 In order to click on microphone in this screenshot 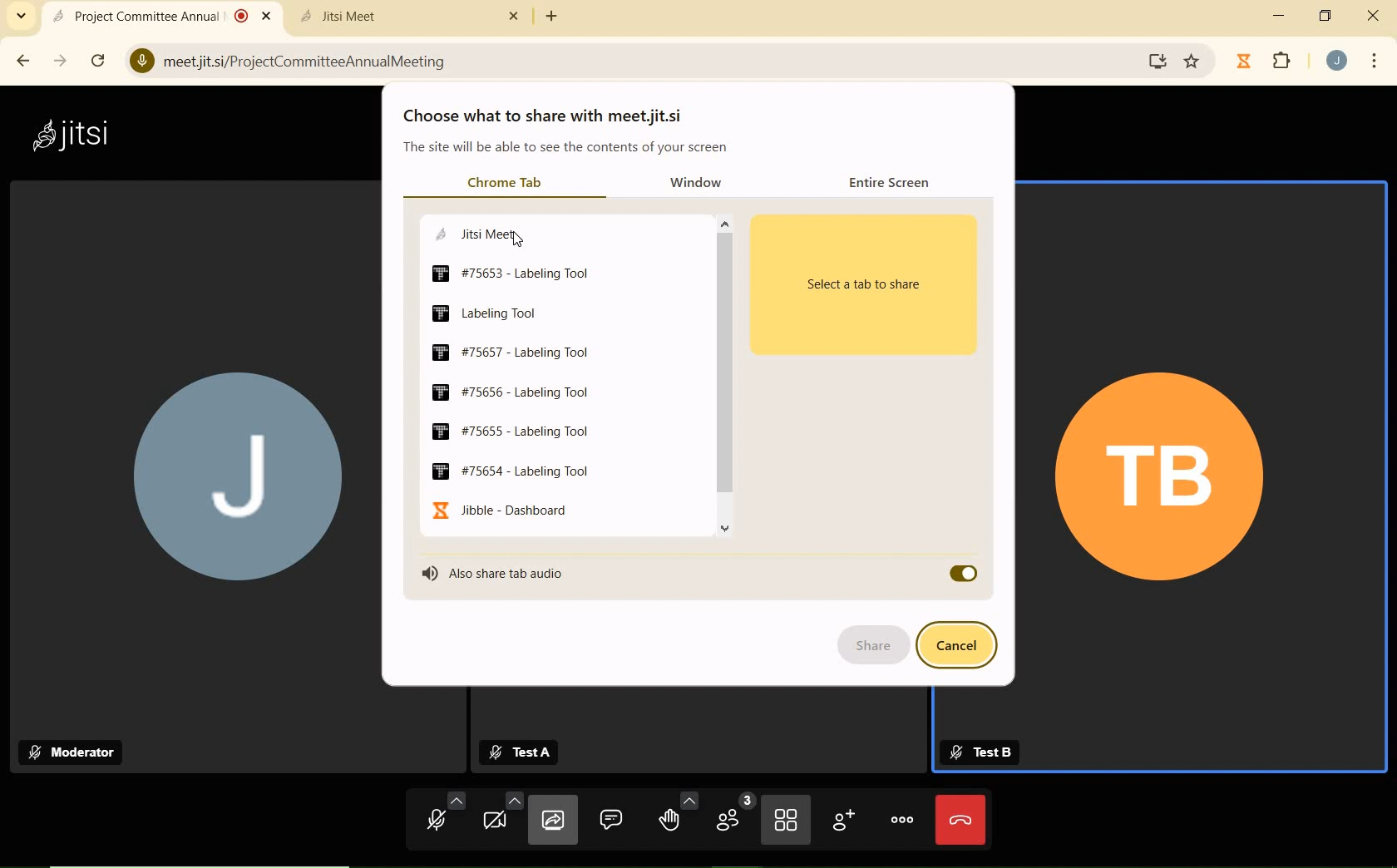, I will do `click(445, 816)`.